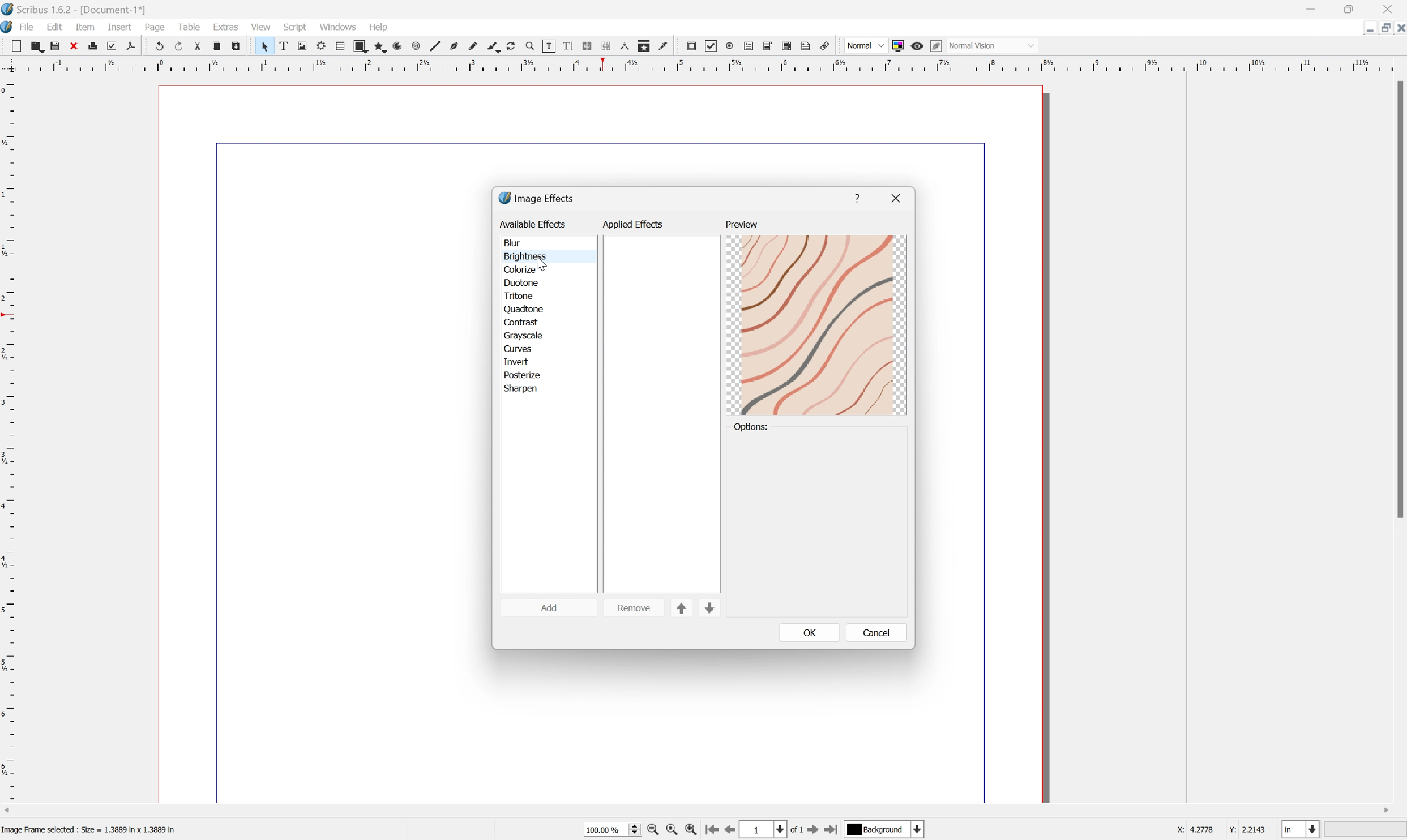 The image size is (1407, 840). Describe the element at coordinates (1302, 829) in the screenshot. I see `select current unit` at that location.